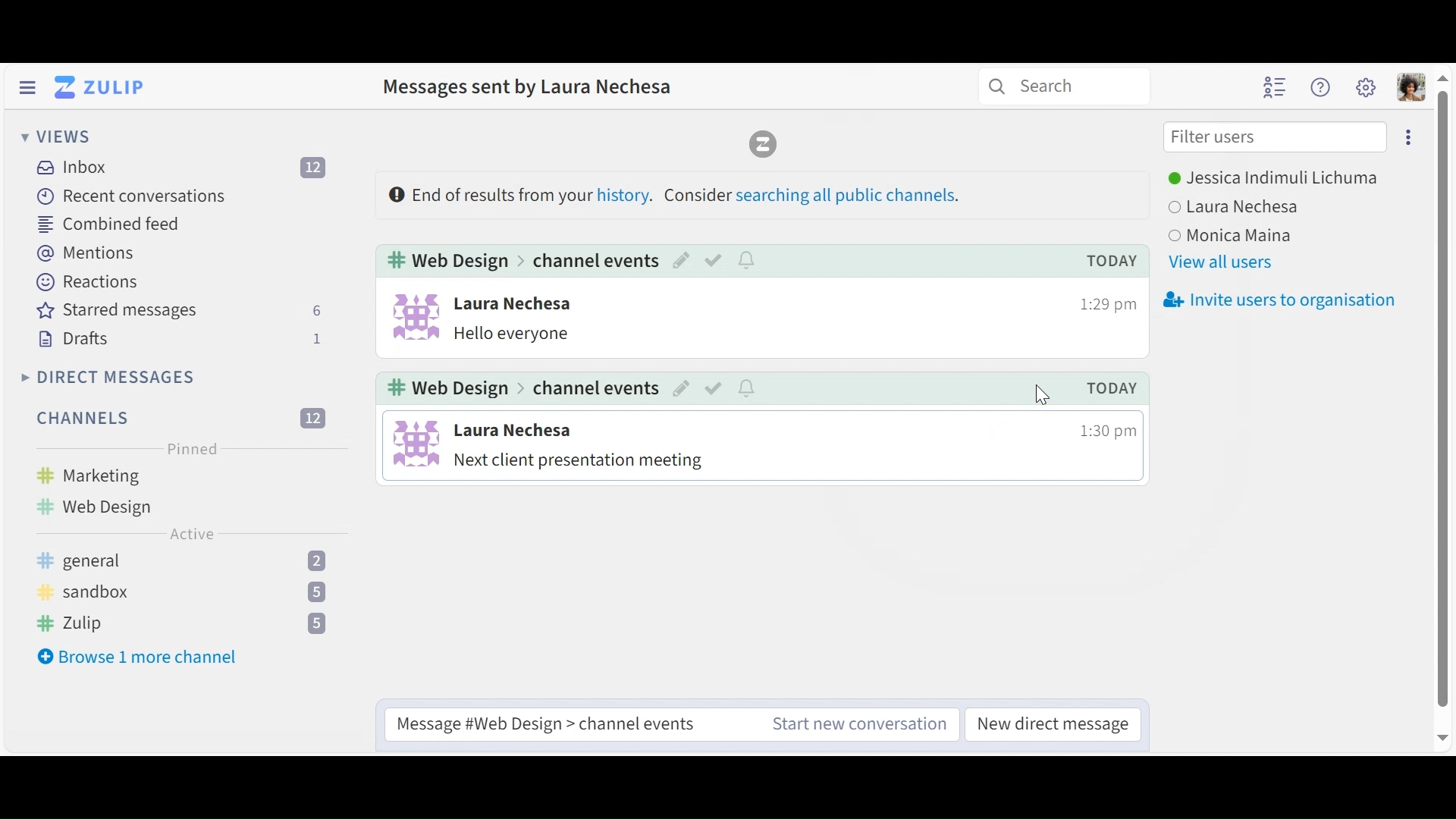  Describe the element at coordinates (180, 311) in the screenshot. I see `Starred messages` at that location.